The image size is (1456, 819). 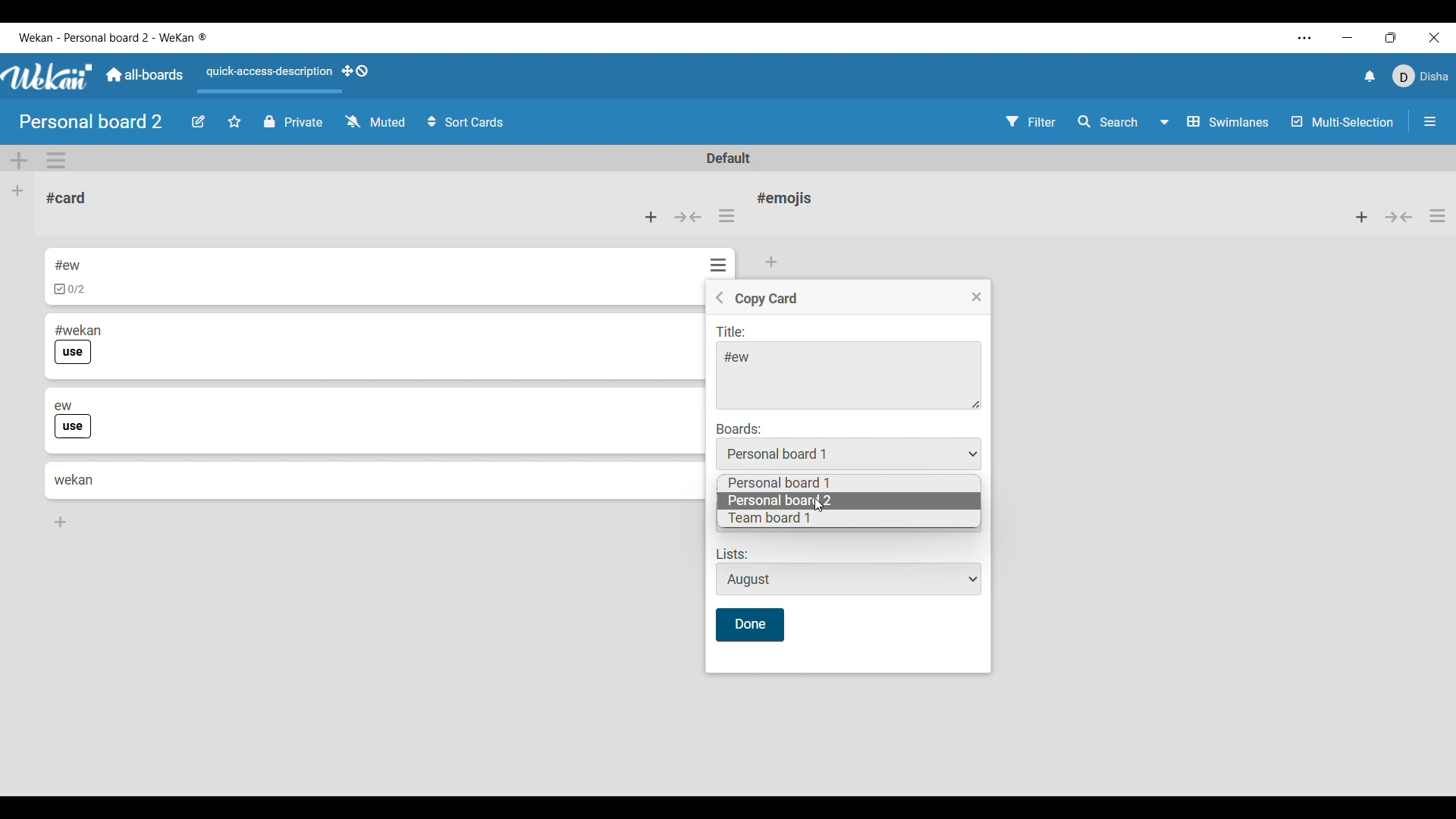 I want to click on Sort card options, so click(x=466, y=122).